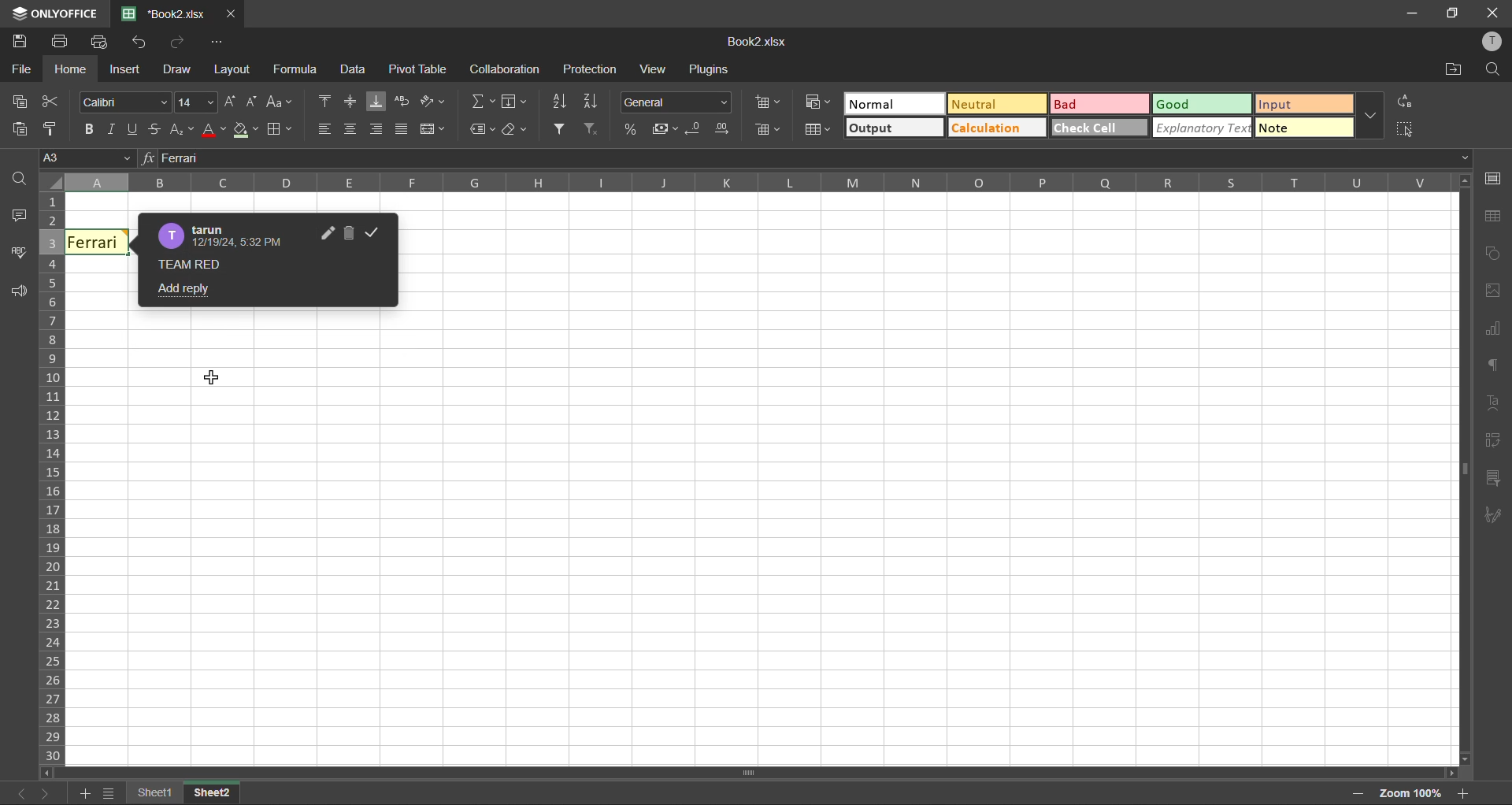  Describe the element at coordinates (433, 101) in the screenshot. I see `orientation` at that location.